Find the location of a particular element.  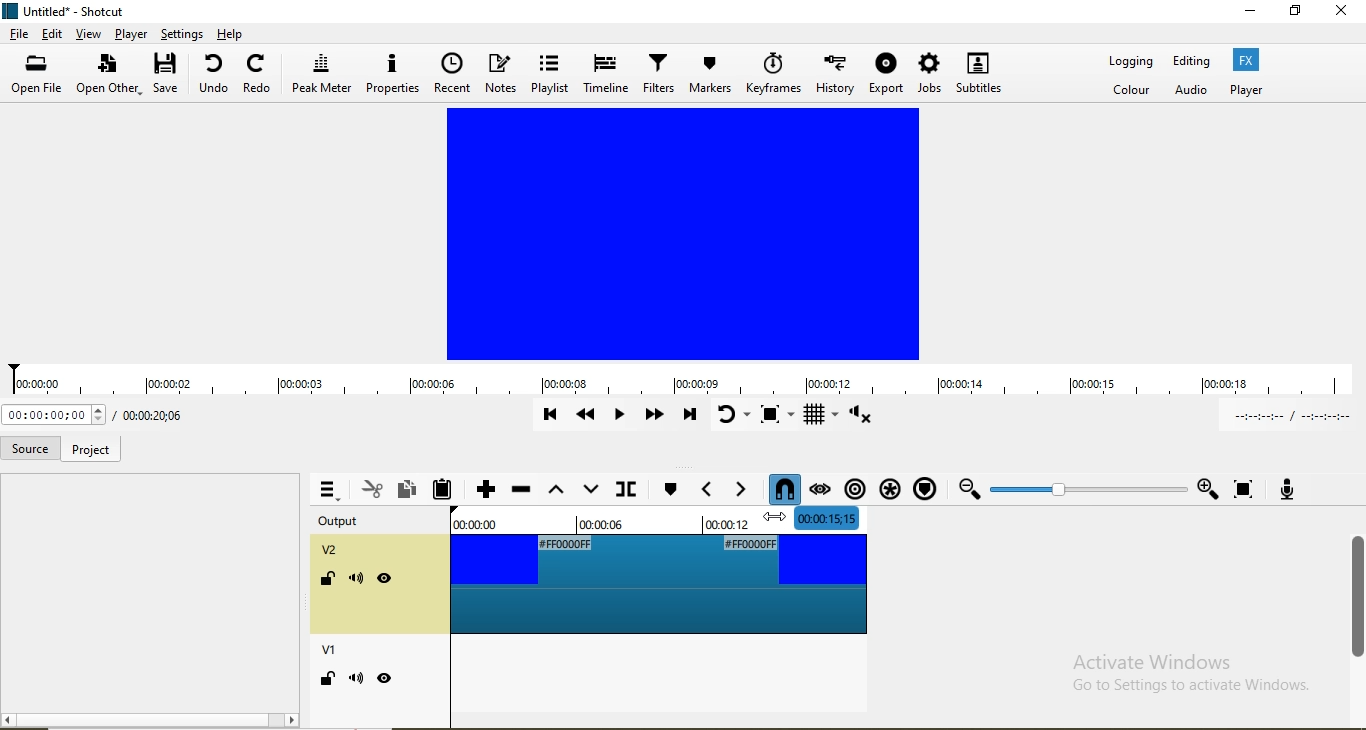

timeline is located at coordinates (604, 74).